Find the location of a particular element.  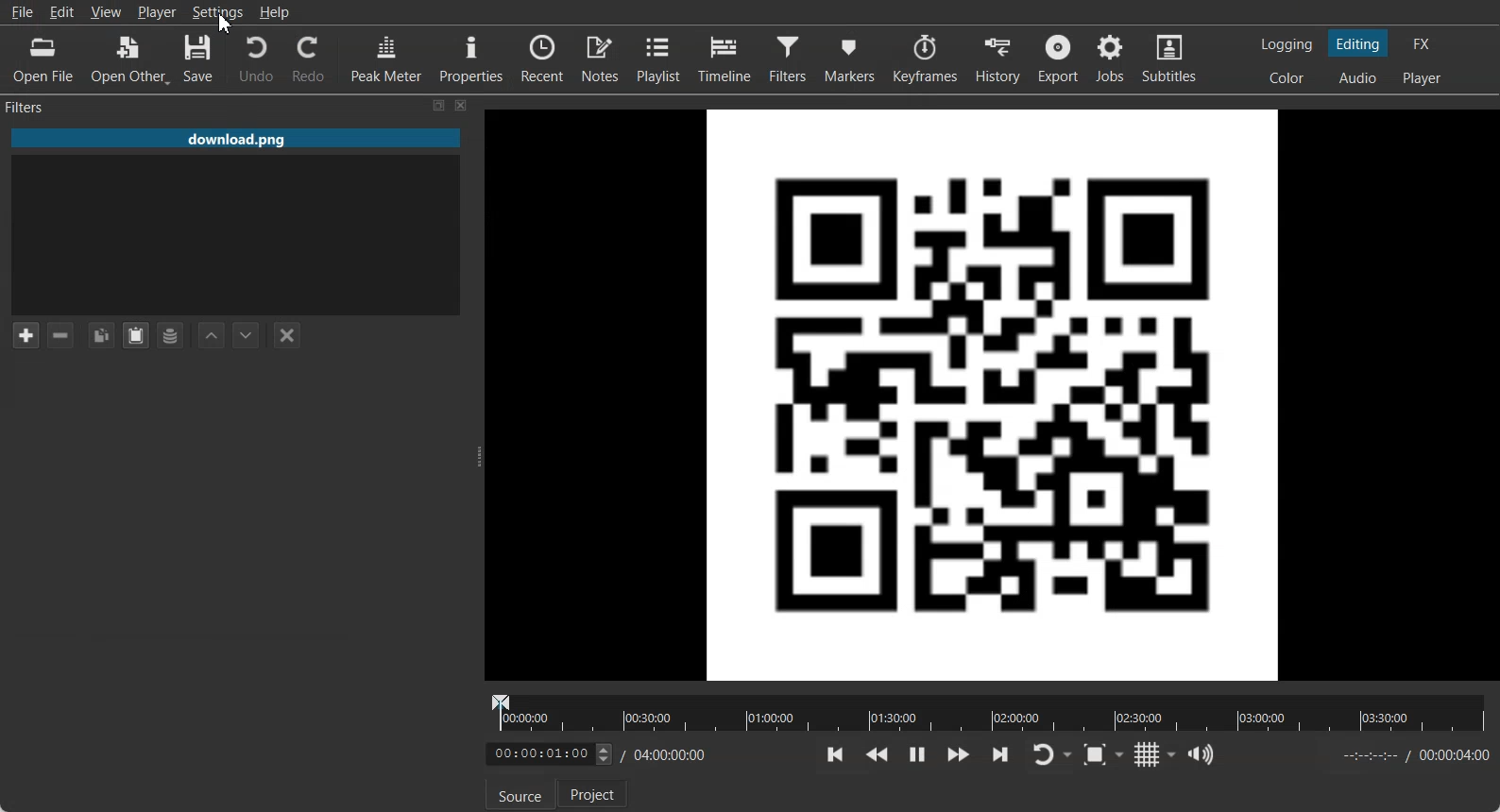

Deselect The Filter is located at coordinates (286, 335).